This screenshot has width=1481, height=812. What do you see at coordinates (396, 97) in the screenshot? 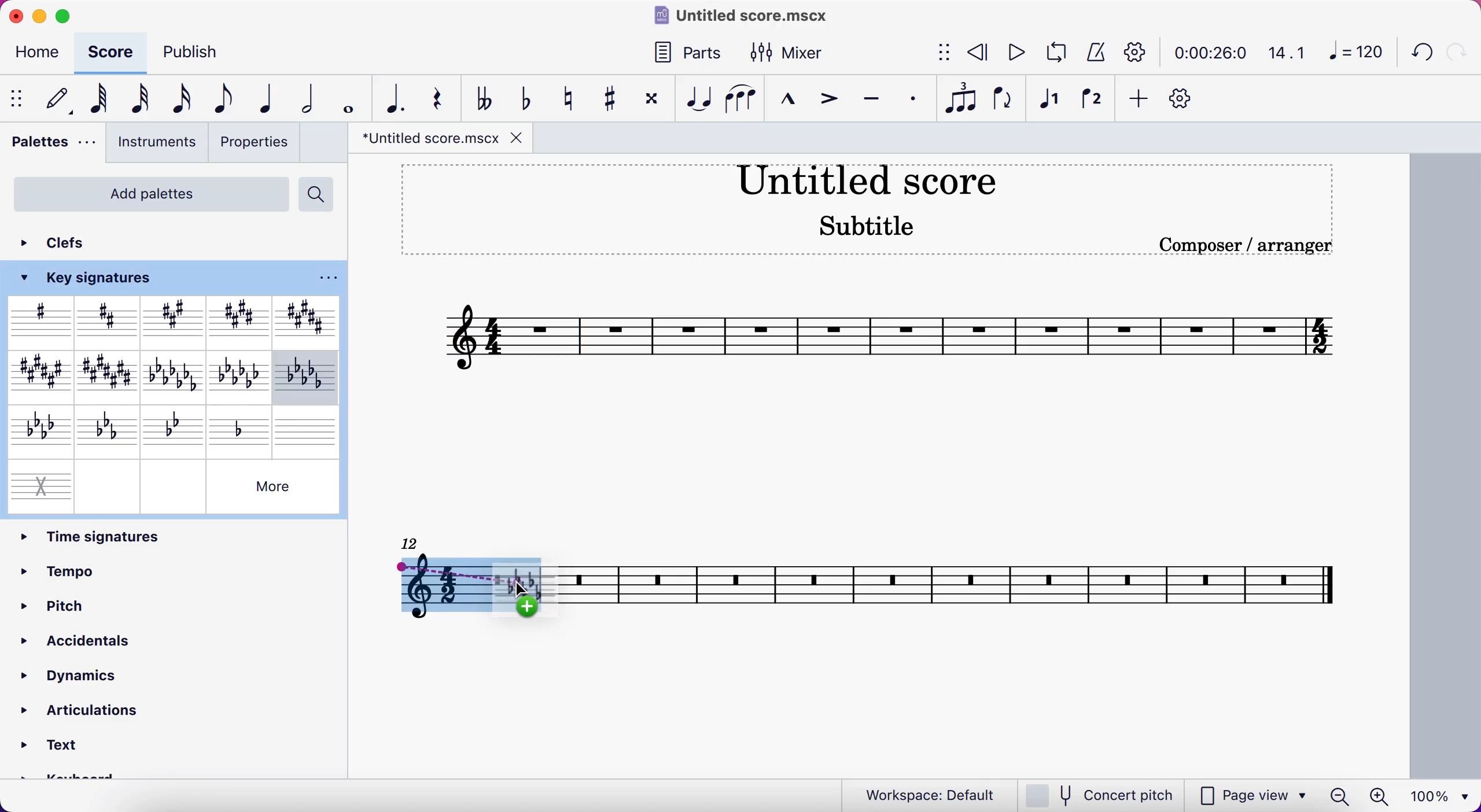
I see `augmentation note` at bounding box center [396, 97].